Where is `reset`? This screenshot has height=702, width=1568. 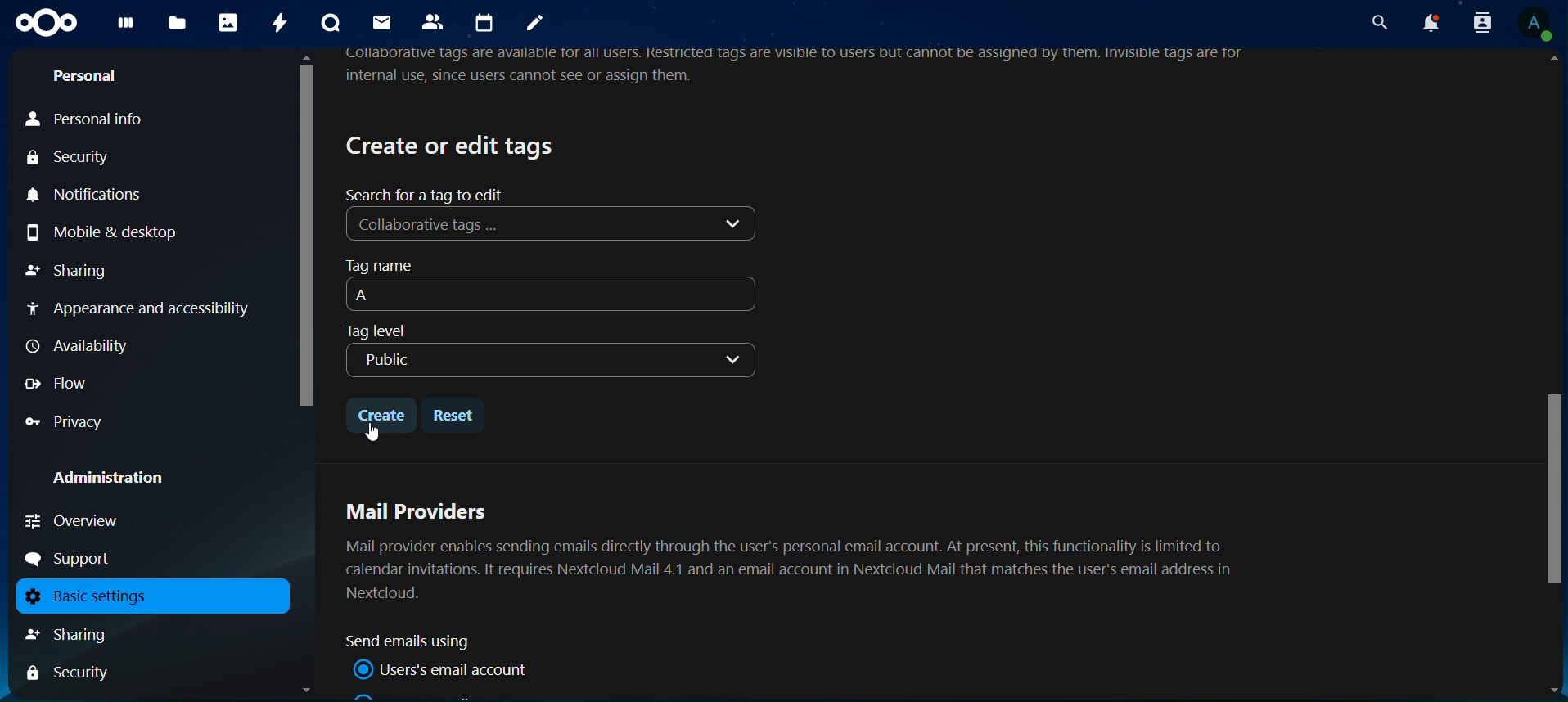 reset is located at coordinates (457, 415).